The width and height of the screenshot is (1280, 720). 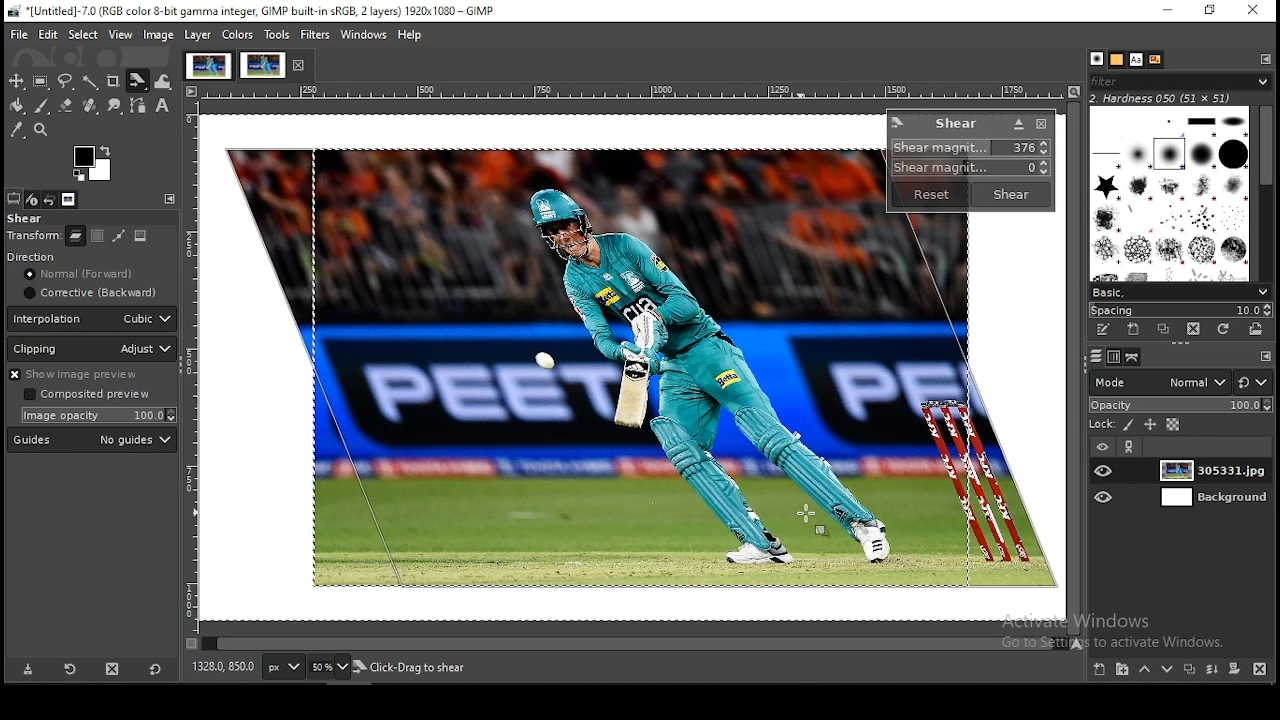 I want to click on move layer one step down, so click(x=1169, y=670).